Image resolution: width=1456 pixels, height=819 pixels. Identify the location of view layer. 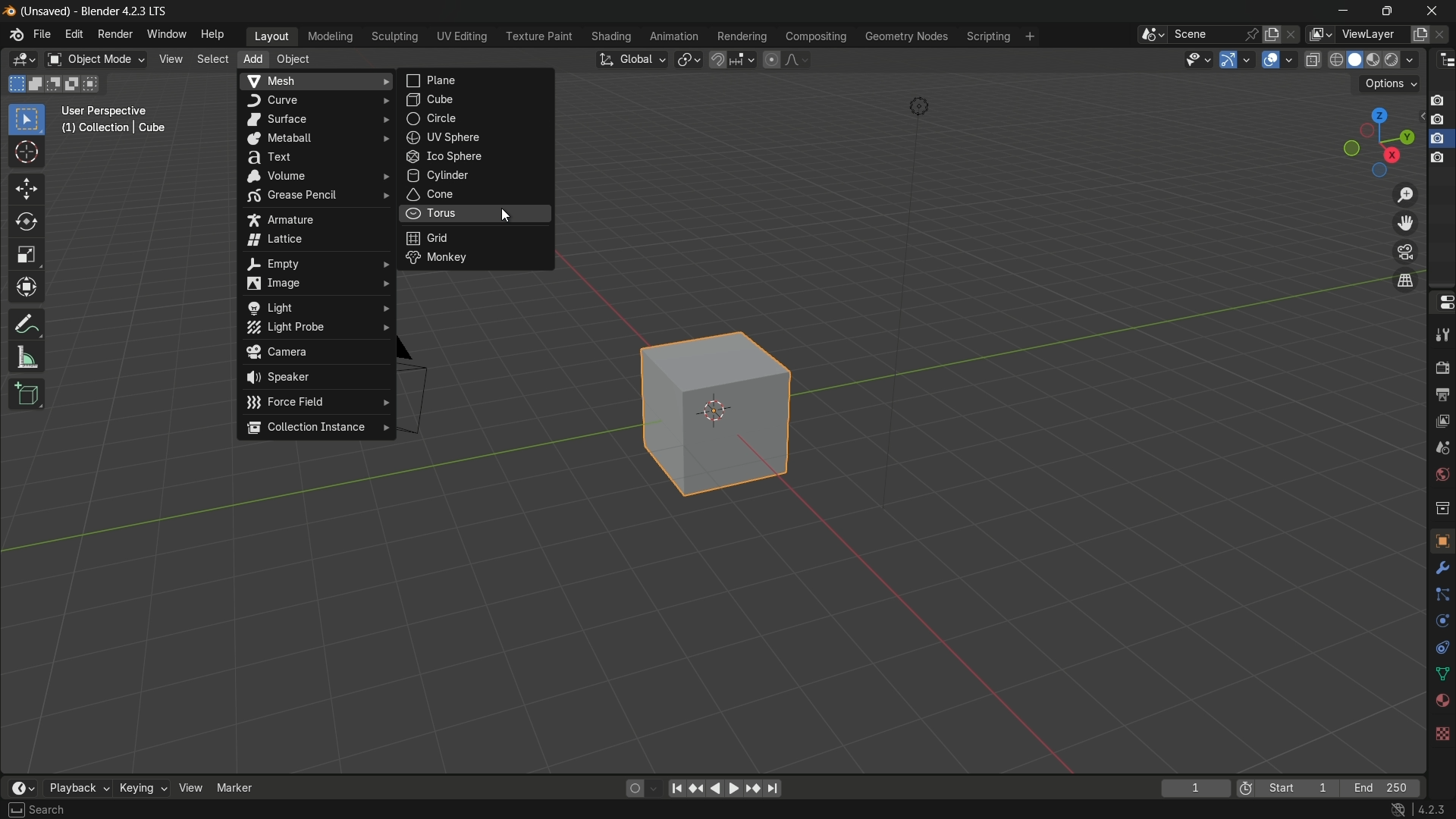
(1318, 34).